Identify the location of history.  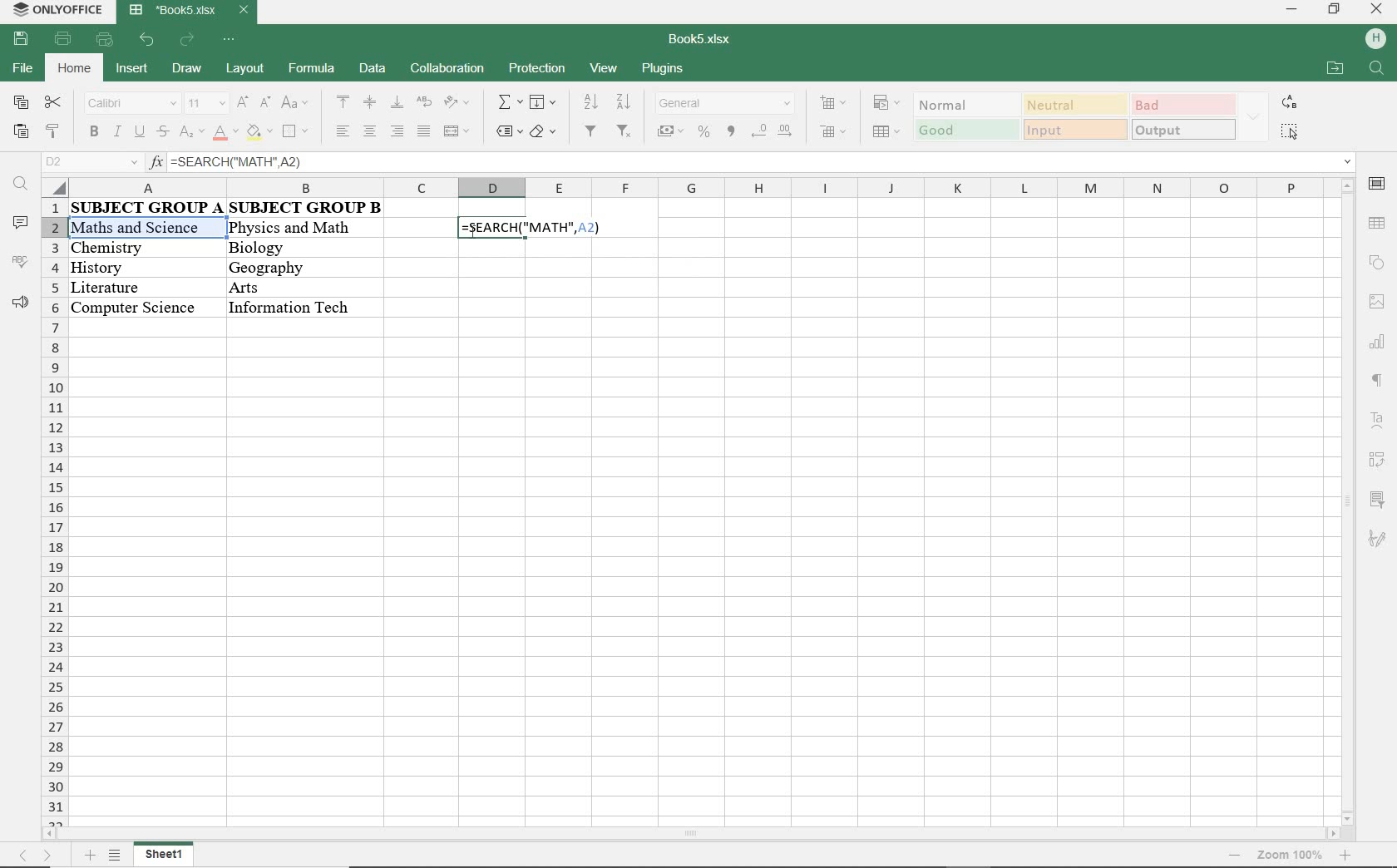
(137, 265).